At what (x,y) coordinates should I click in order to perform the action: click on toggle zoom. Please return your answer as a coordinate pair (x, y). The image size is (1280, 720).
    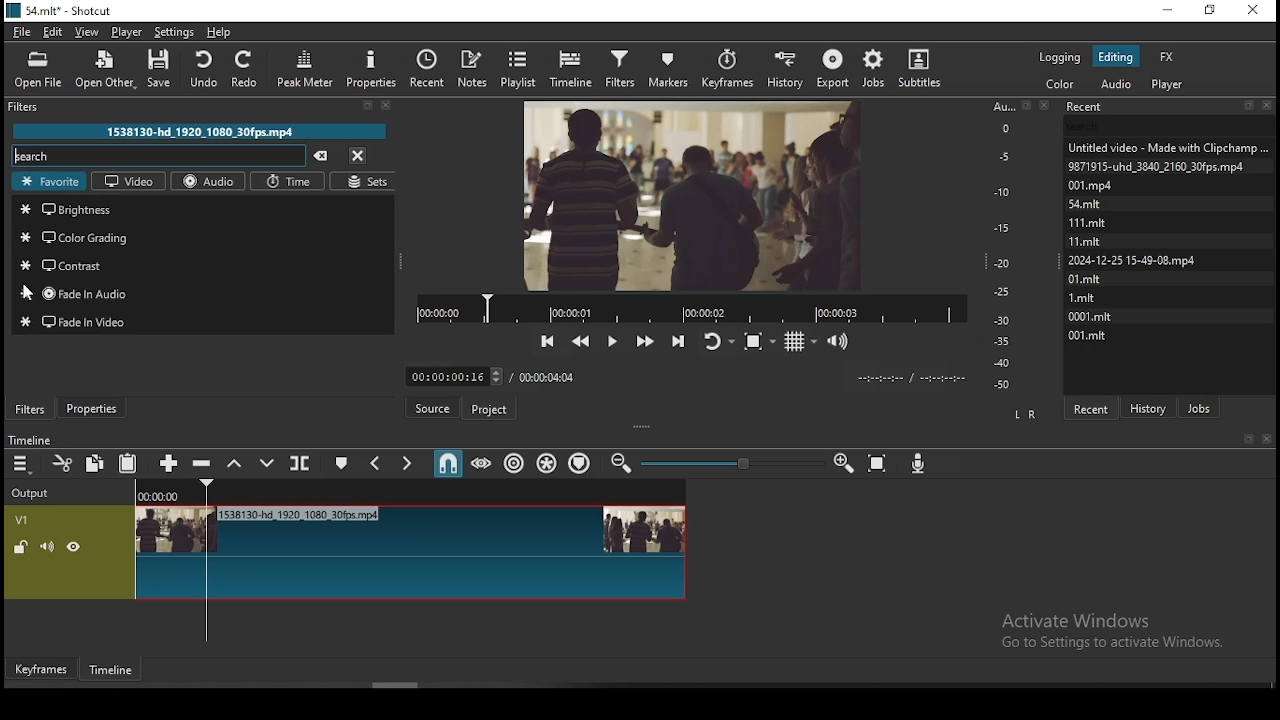
    Looking at the image, I should click on (761, 339).